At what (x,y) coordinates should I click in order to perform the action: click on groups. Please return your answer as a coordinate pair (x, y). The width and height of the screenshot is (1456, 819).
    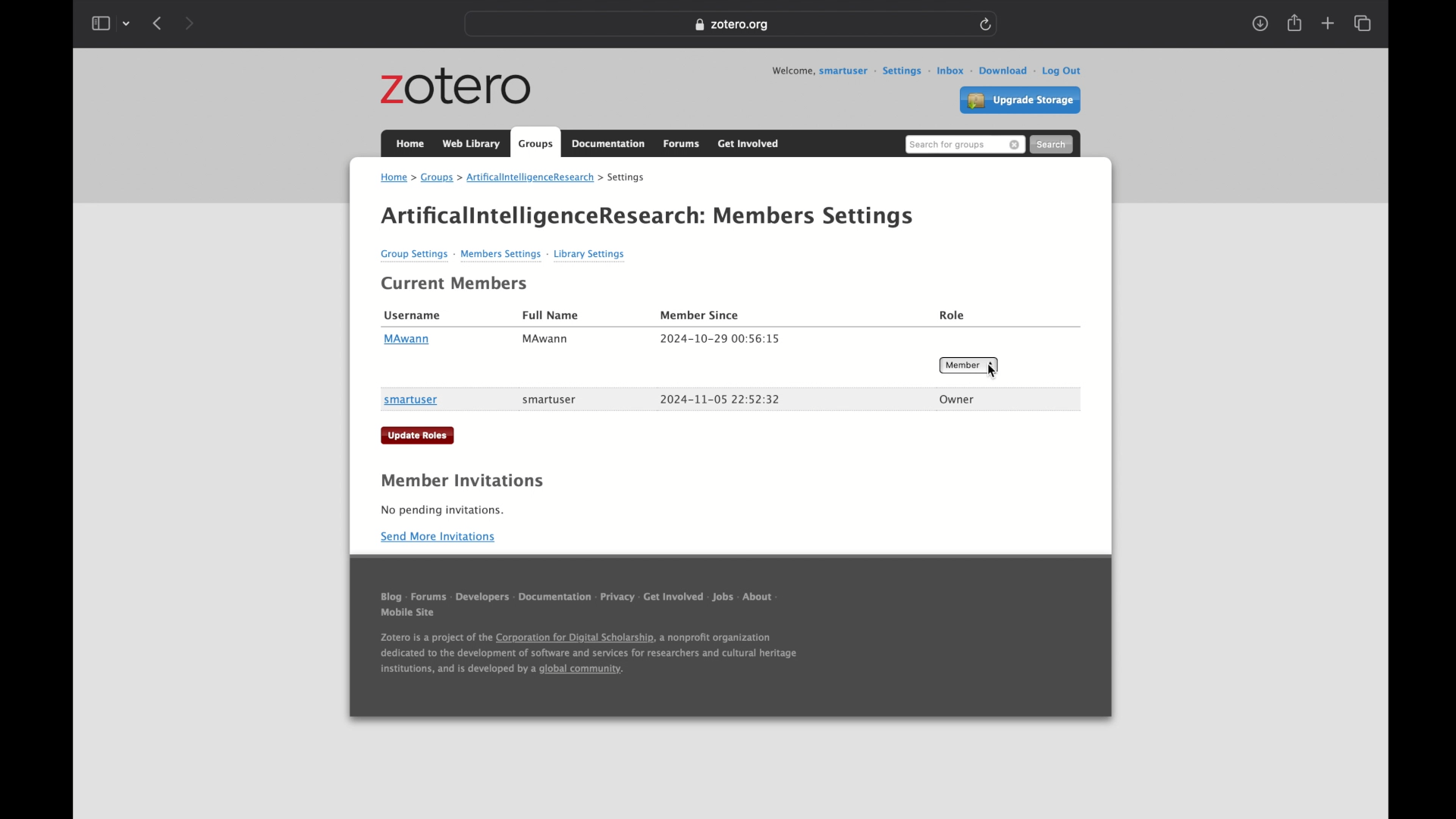
    Looking at the image, I should click on (438, 178).